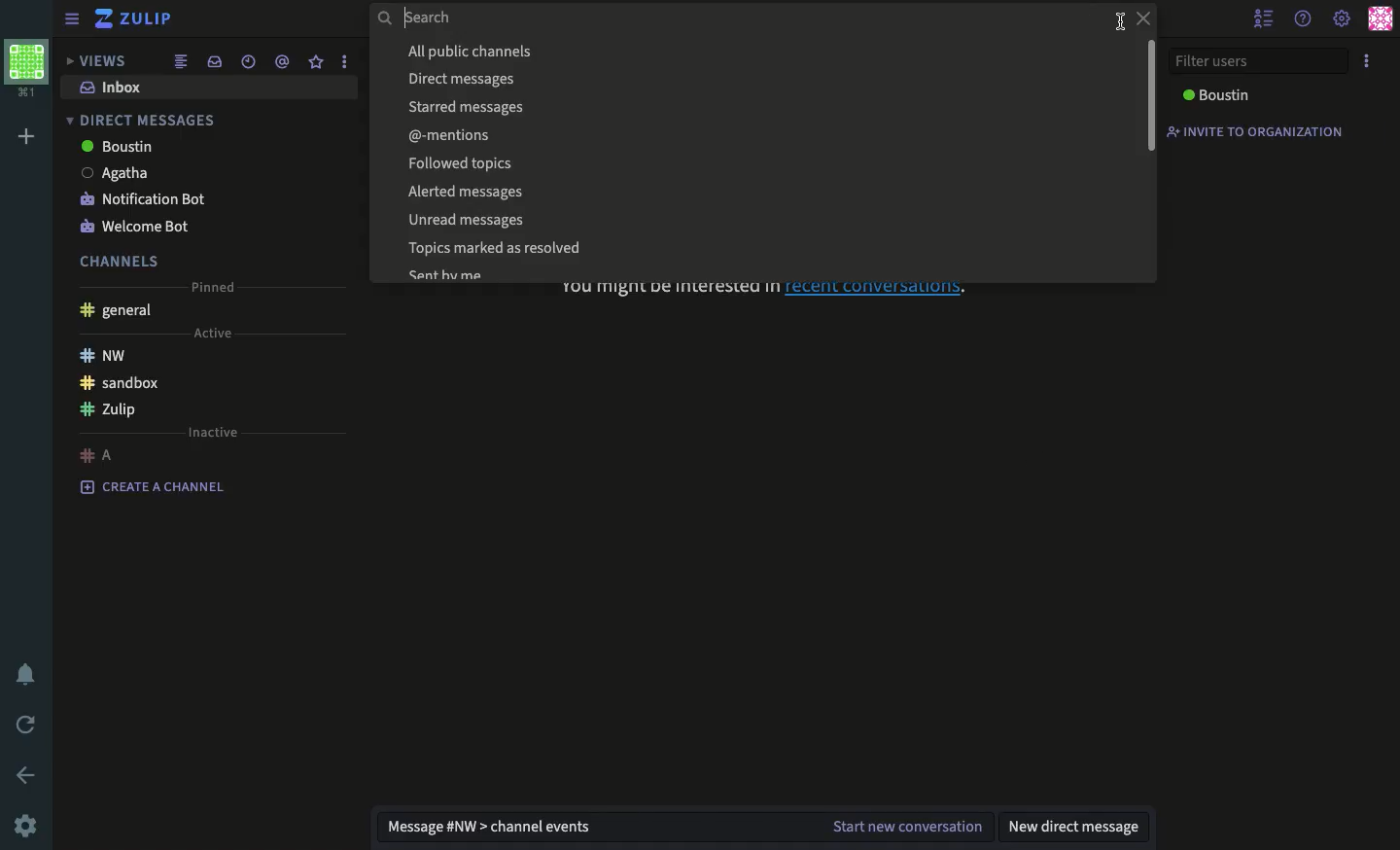 The image size is (1400, 850). I want to click on help, so click(1301, 21).